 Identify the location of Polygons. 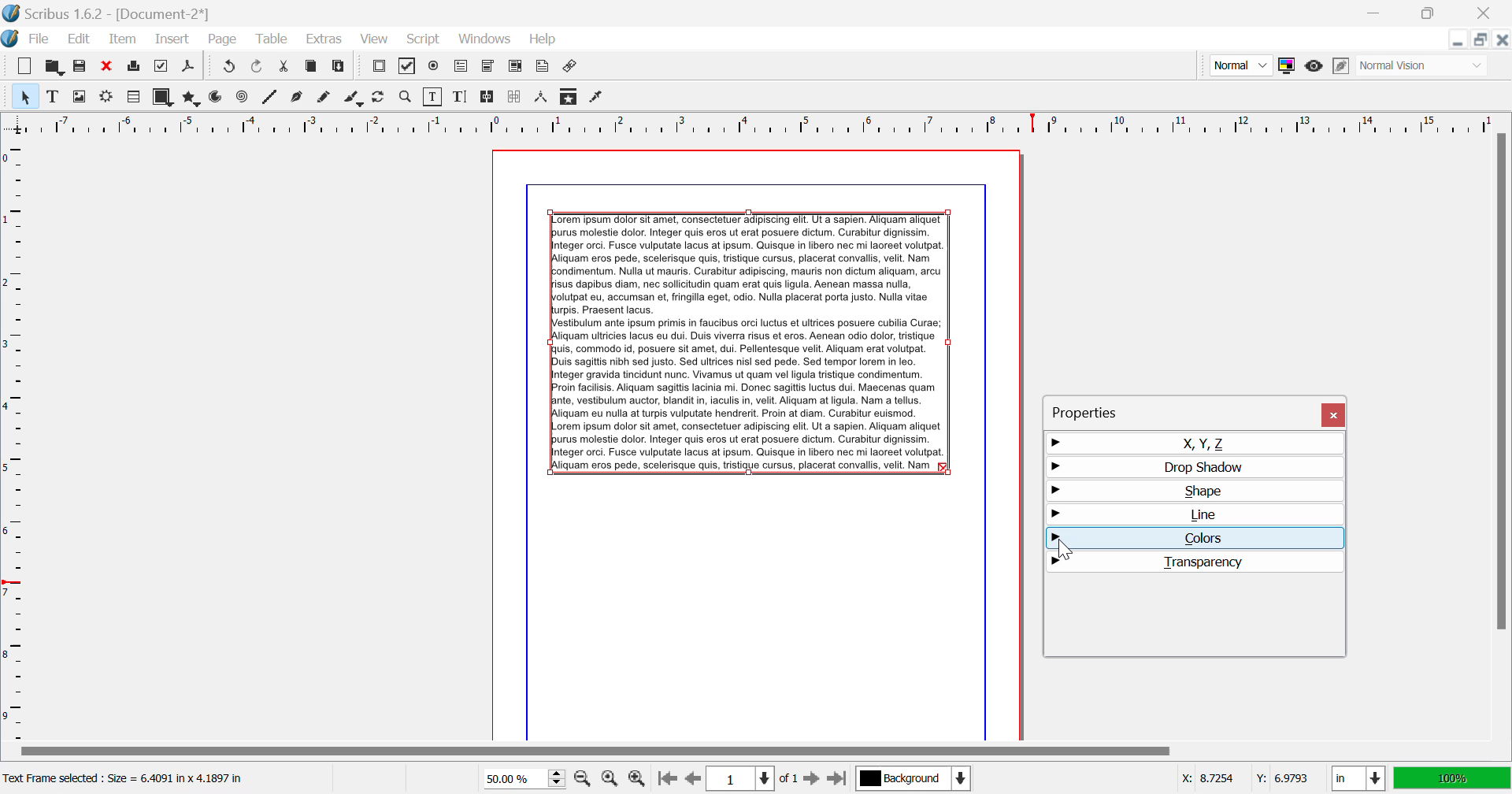
(190, 98).